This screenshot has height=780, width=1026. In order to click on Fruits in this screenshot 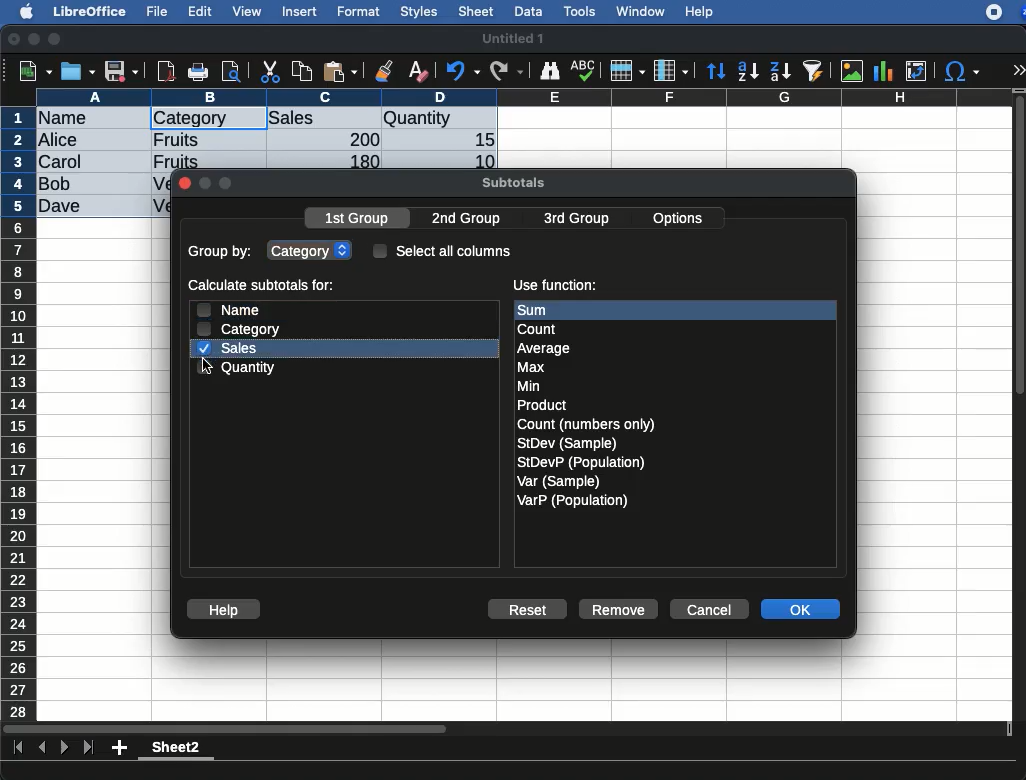, I will do `click(177, 139)`.